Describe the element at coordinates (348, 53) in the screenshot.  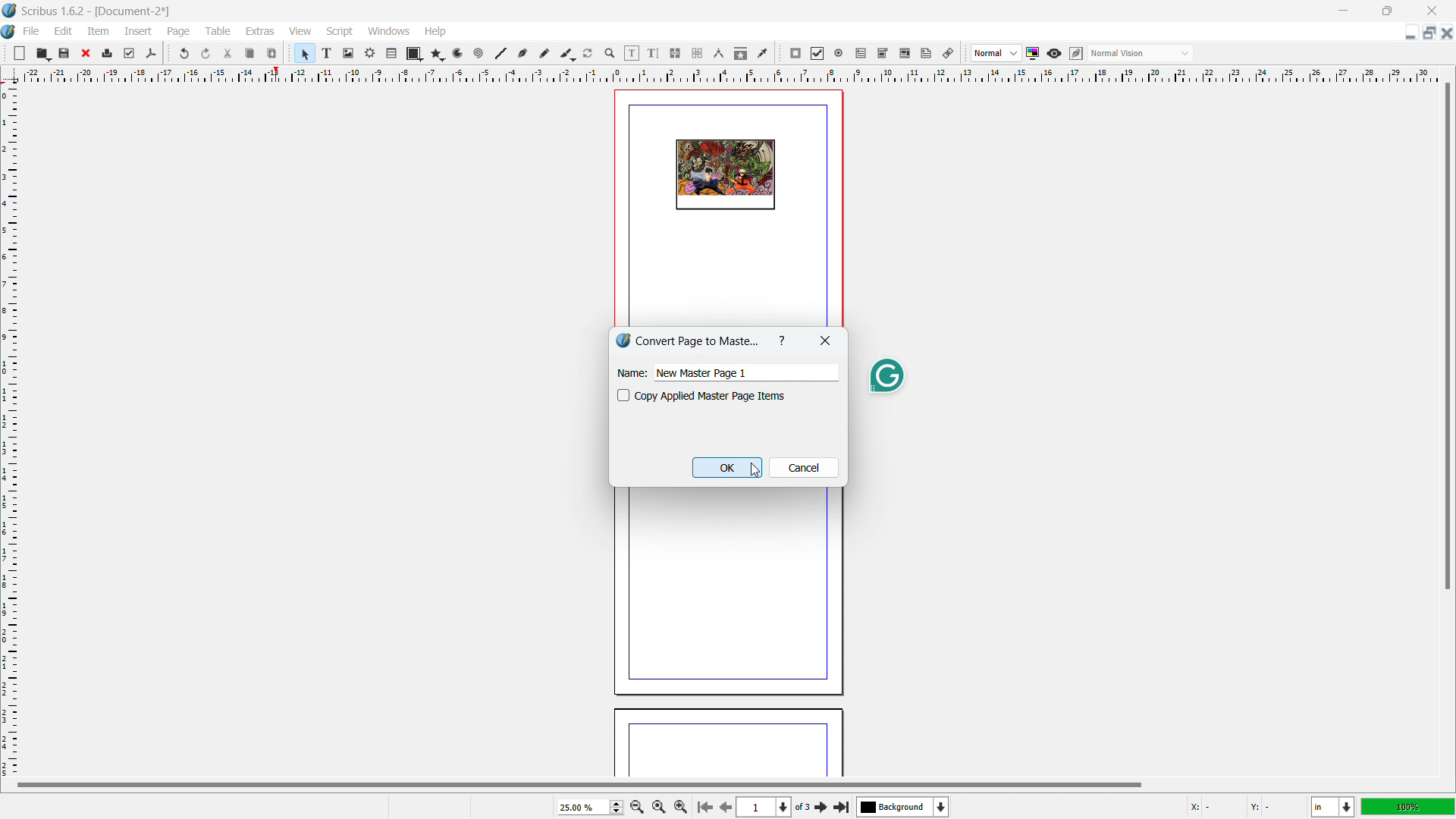
I see `image frame` at that location.